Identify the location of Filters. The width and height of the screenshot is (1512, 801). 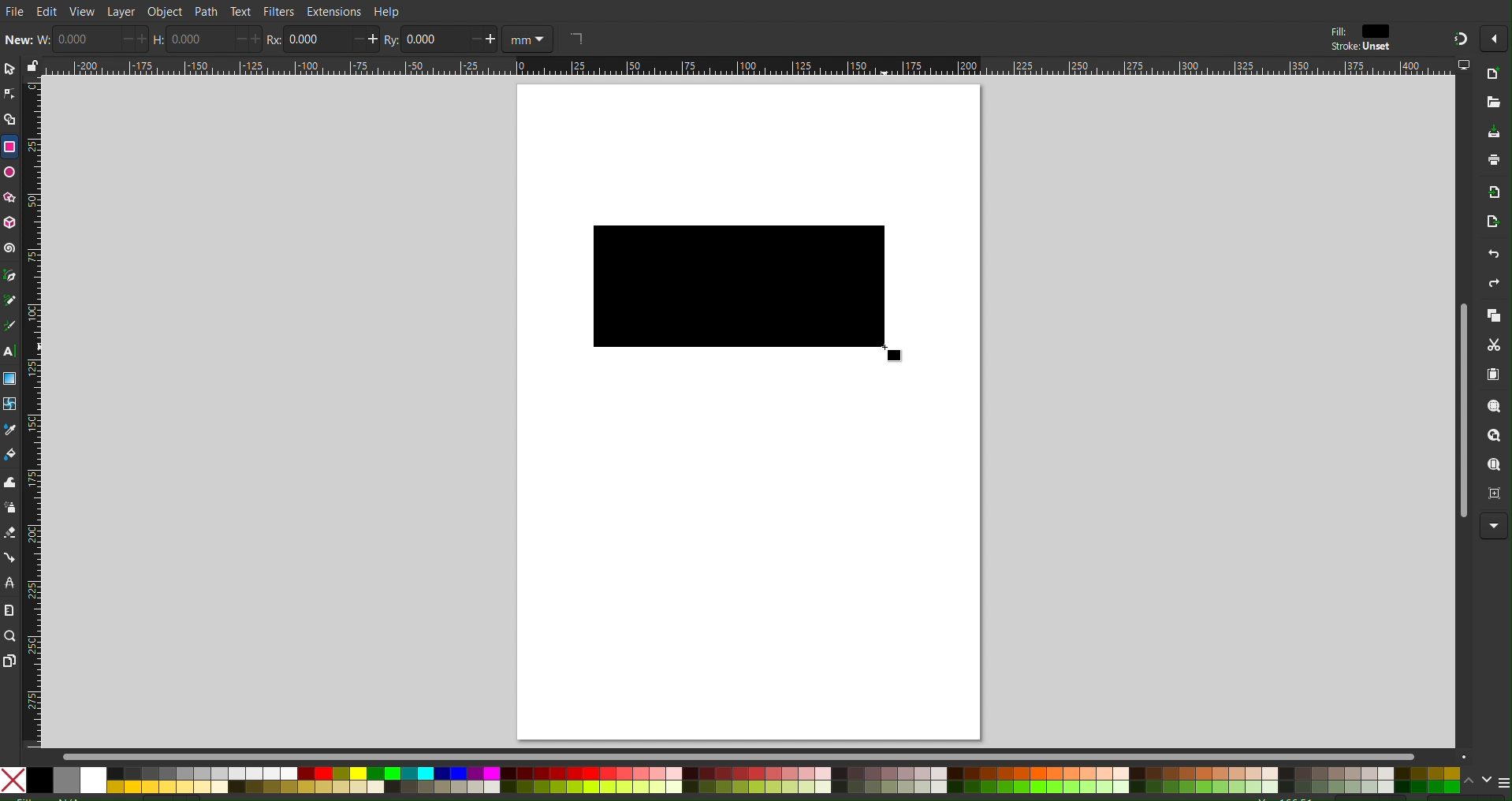
(278, 13).